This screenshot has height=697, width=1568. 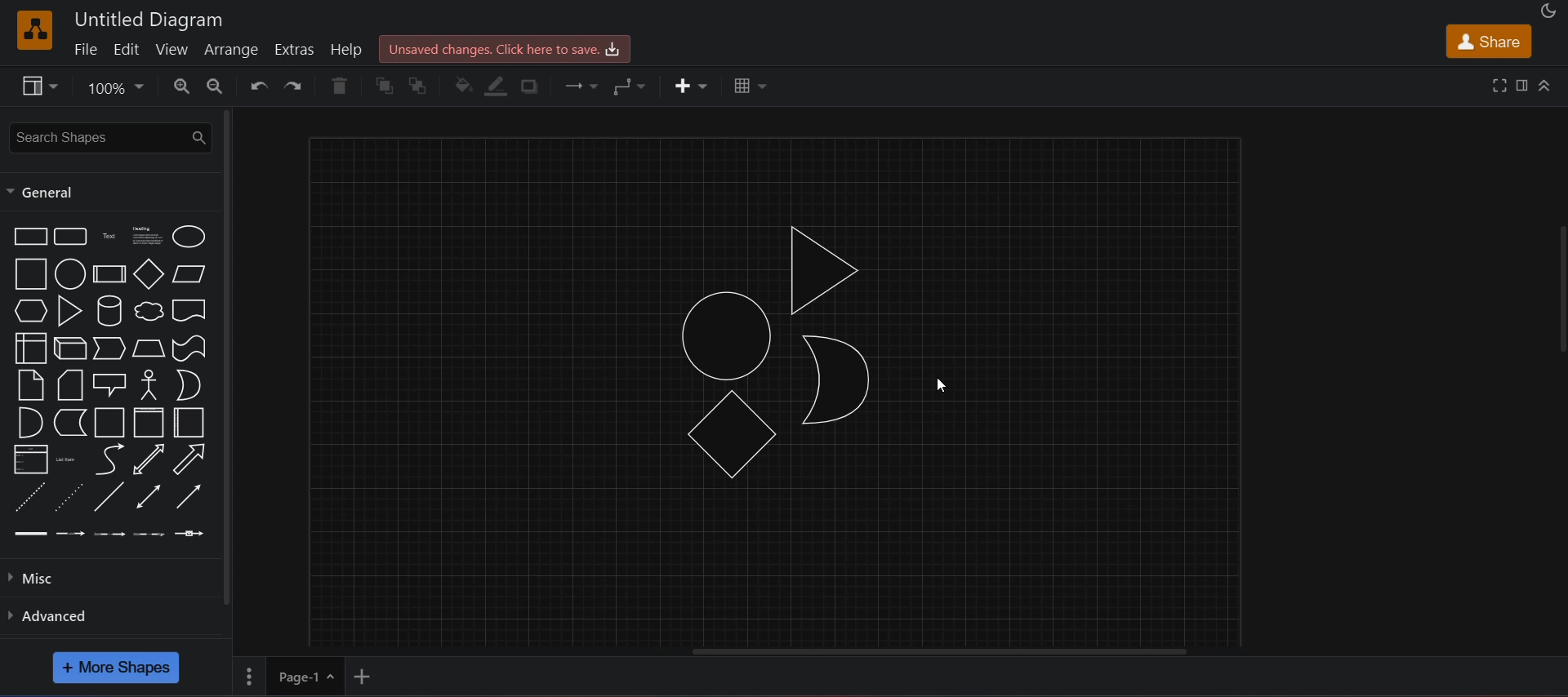 I want to click on untitled diagram, so click(x=150, y=18).